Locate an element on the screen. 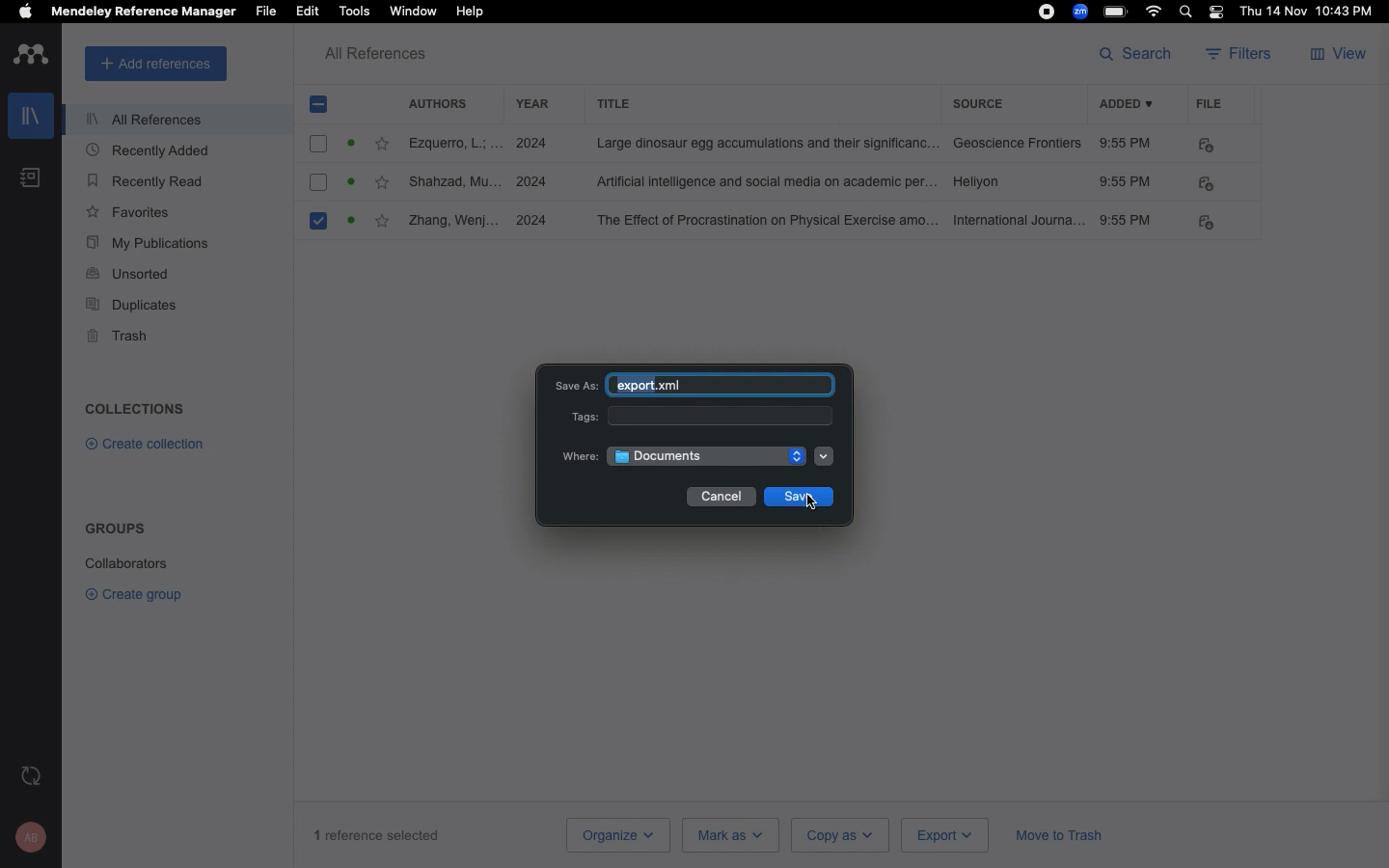  Save as is located at coordinates (576, 388).